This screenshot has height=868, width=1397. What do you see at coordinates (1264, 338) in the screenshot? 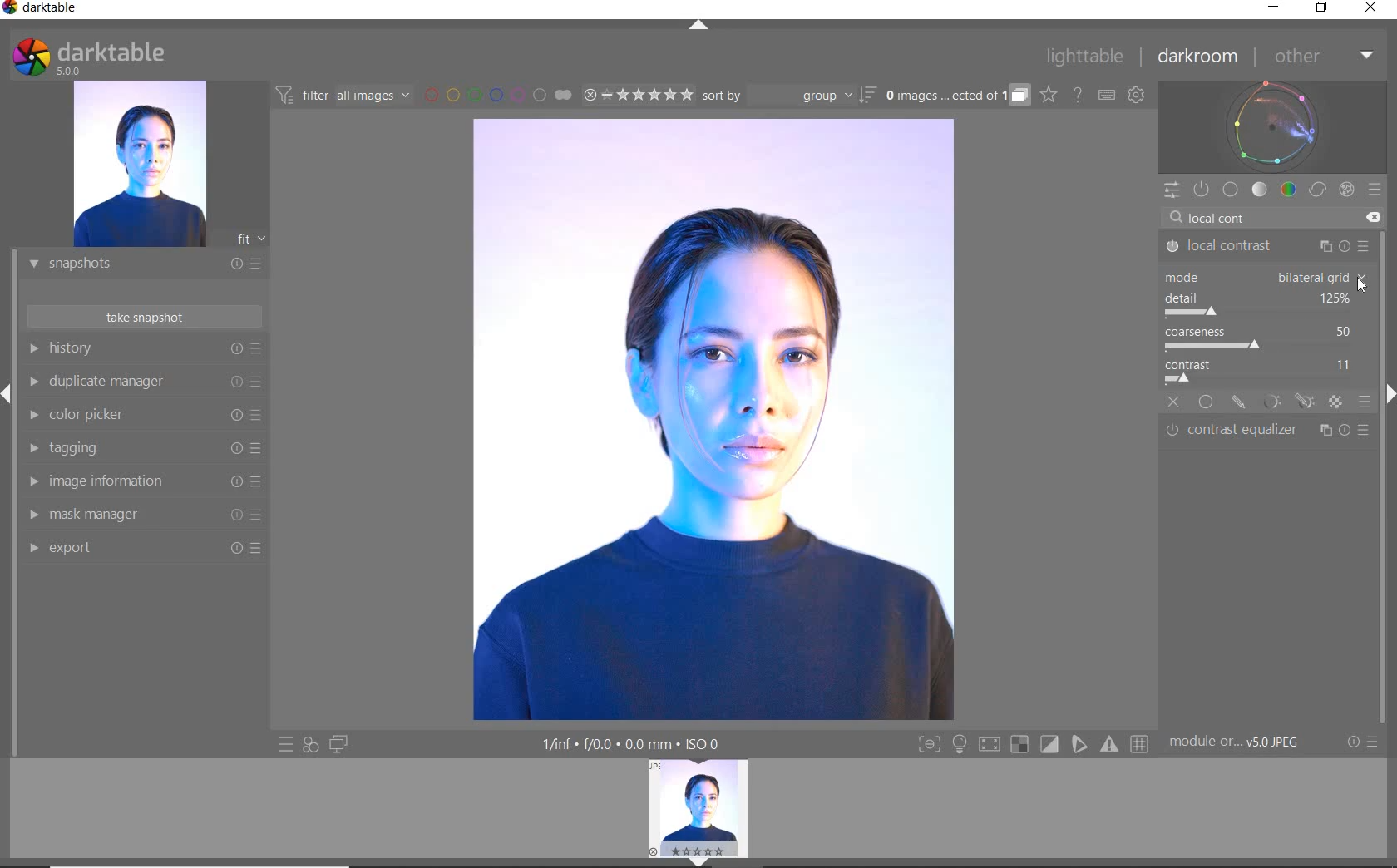
I see `coarseness` at bounding box center [1264, 338].